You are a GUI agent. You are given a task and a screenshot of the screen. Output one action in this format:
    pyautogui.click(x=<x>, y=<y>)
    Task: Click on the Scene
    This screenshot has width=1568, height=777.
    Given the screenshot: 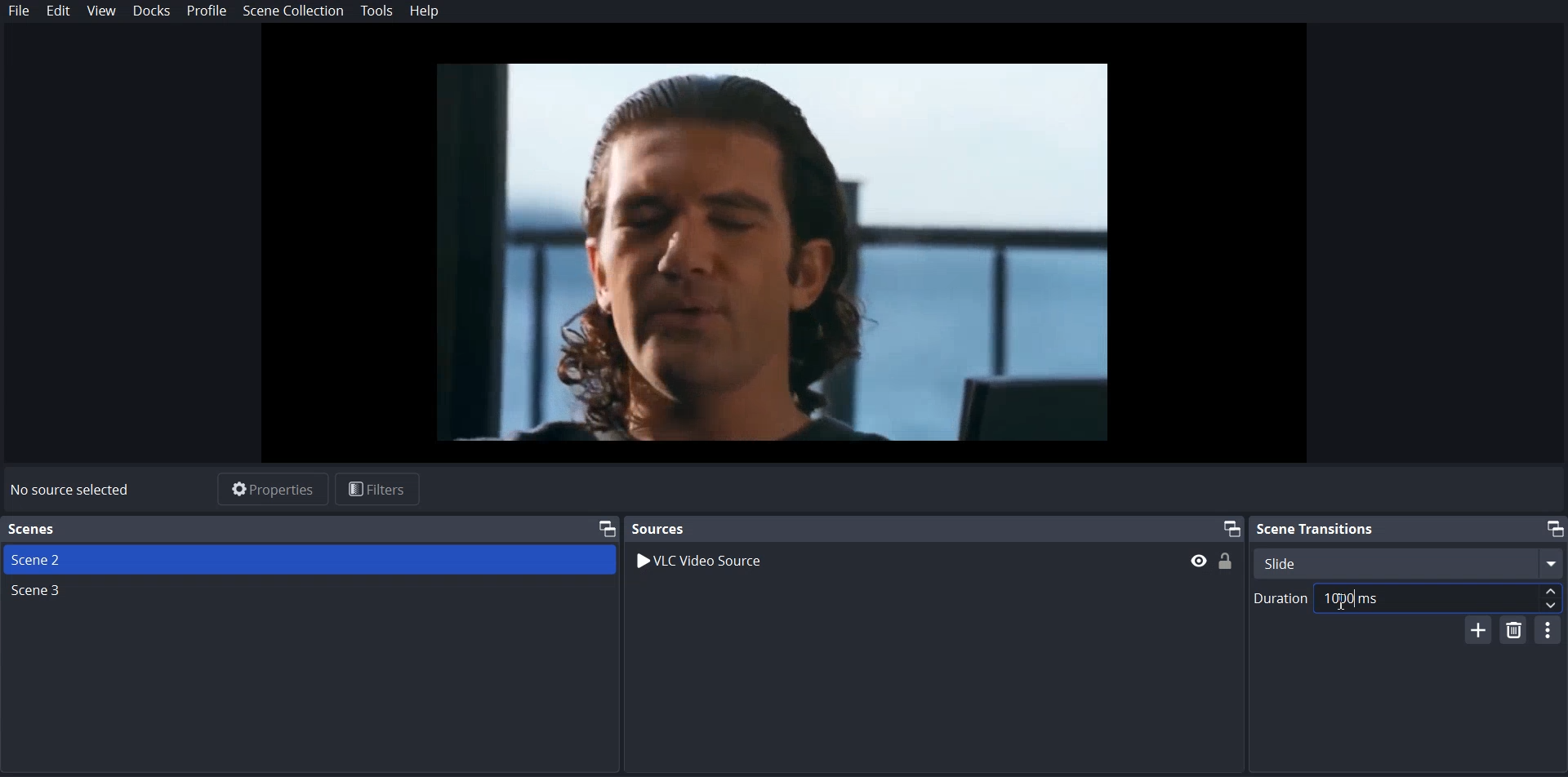 What is the action you would take?
    pyautogui.click(x=40, y=591)
    